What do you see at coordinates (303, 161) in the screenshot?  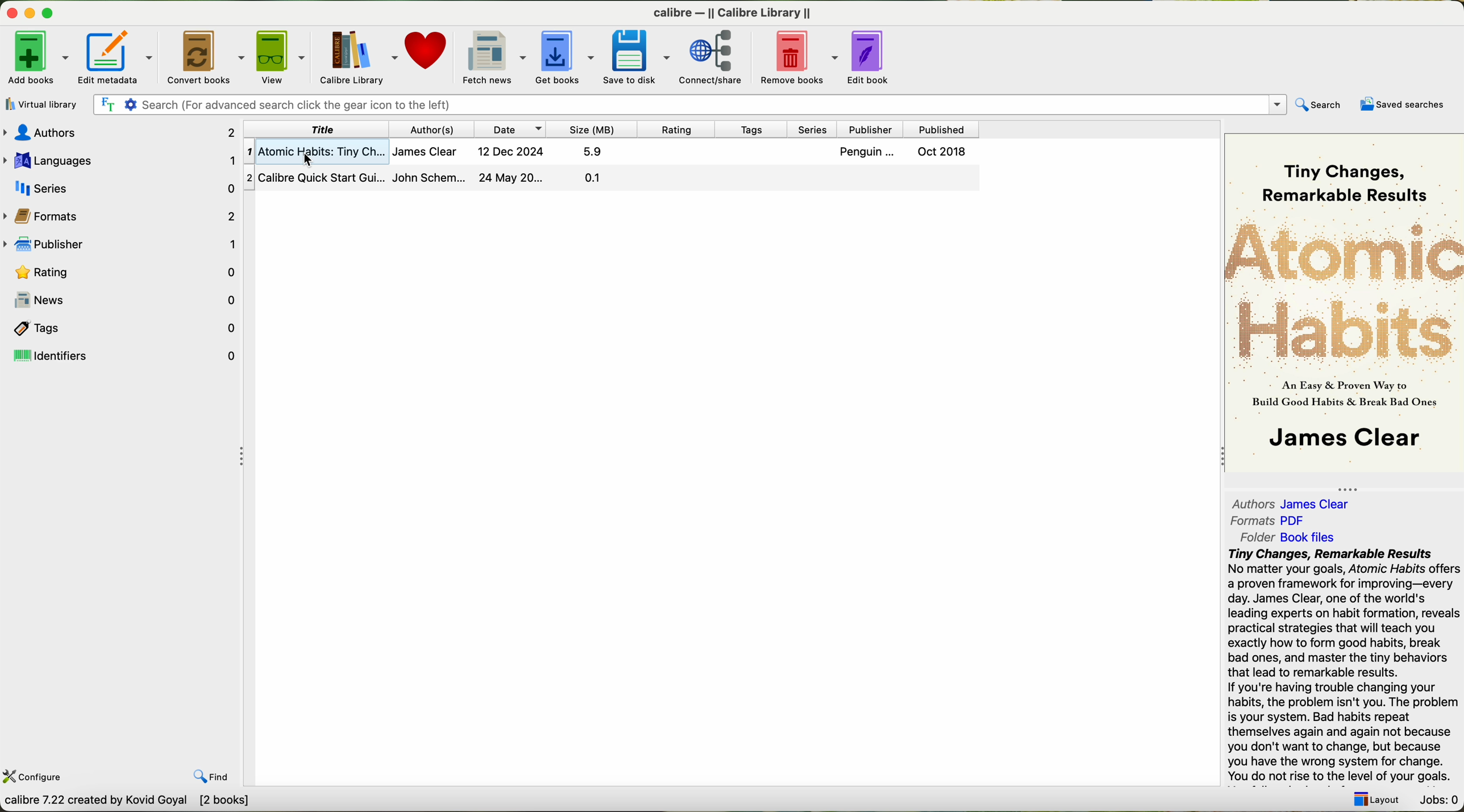 I see `cursor` at bounding box center [303, 161].